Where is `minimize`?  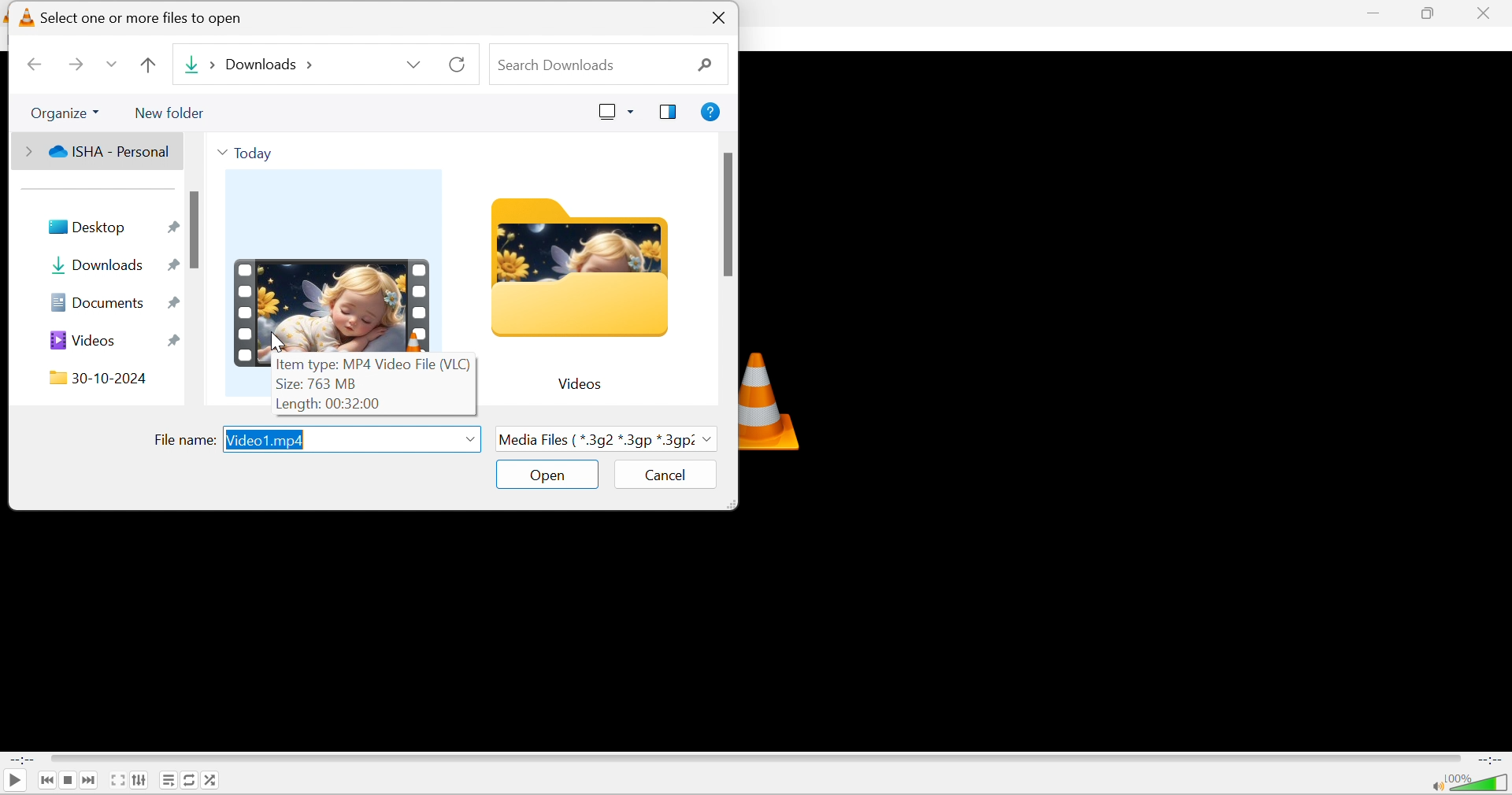
minimize is located at coordinates (1370, 10).